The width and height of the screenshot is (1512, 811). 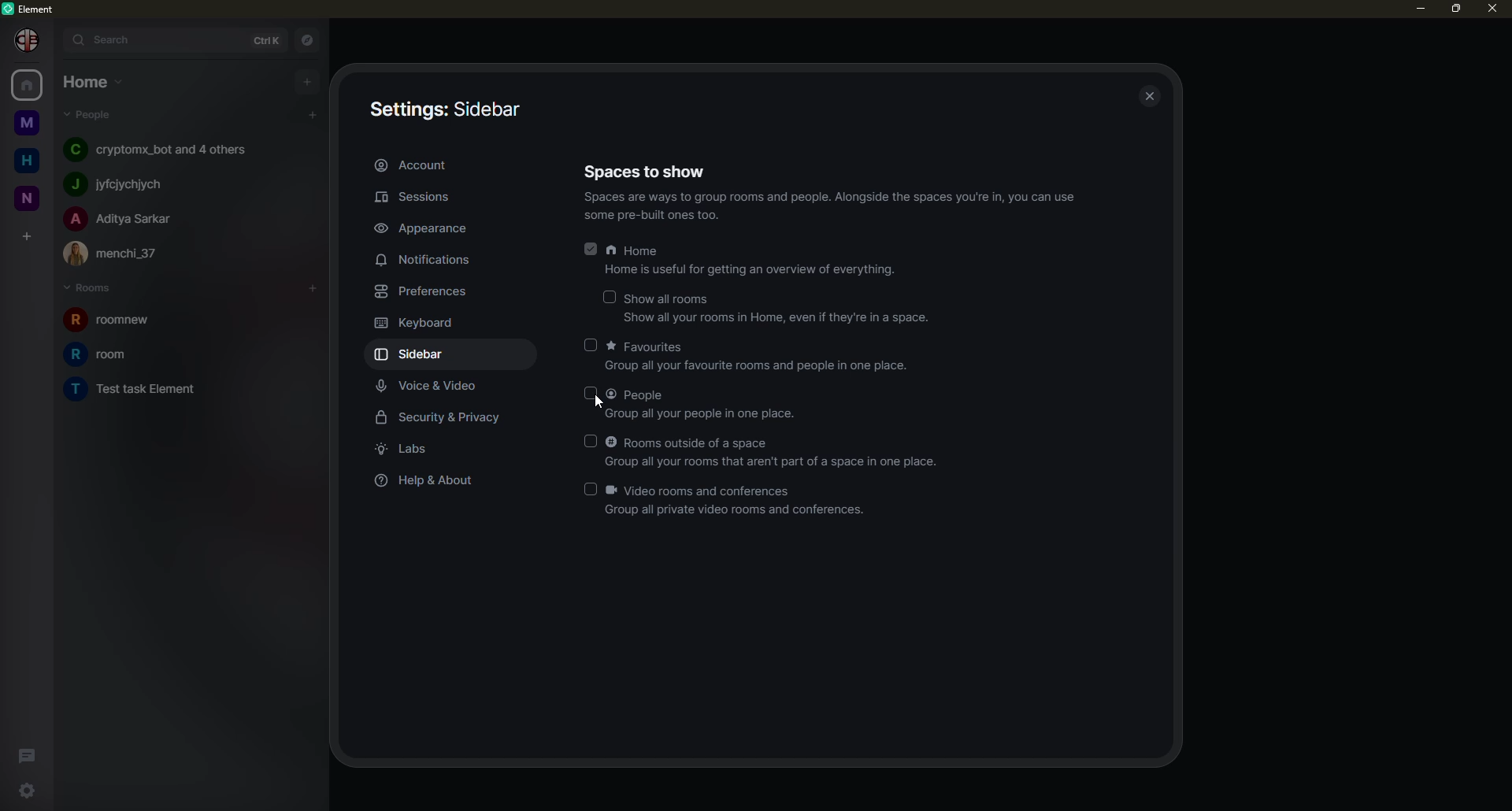 I want to click on keyboard, so click(x=417, y=323).